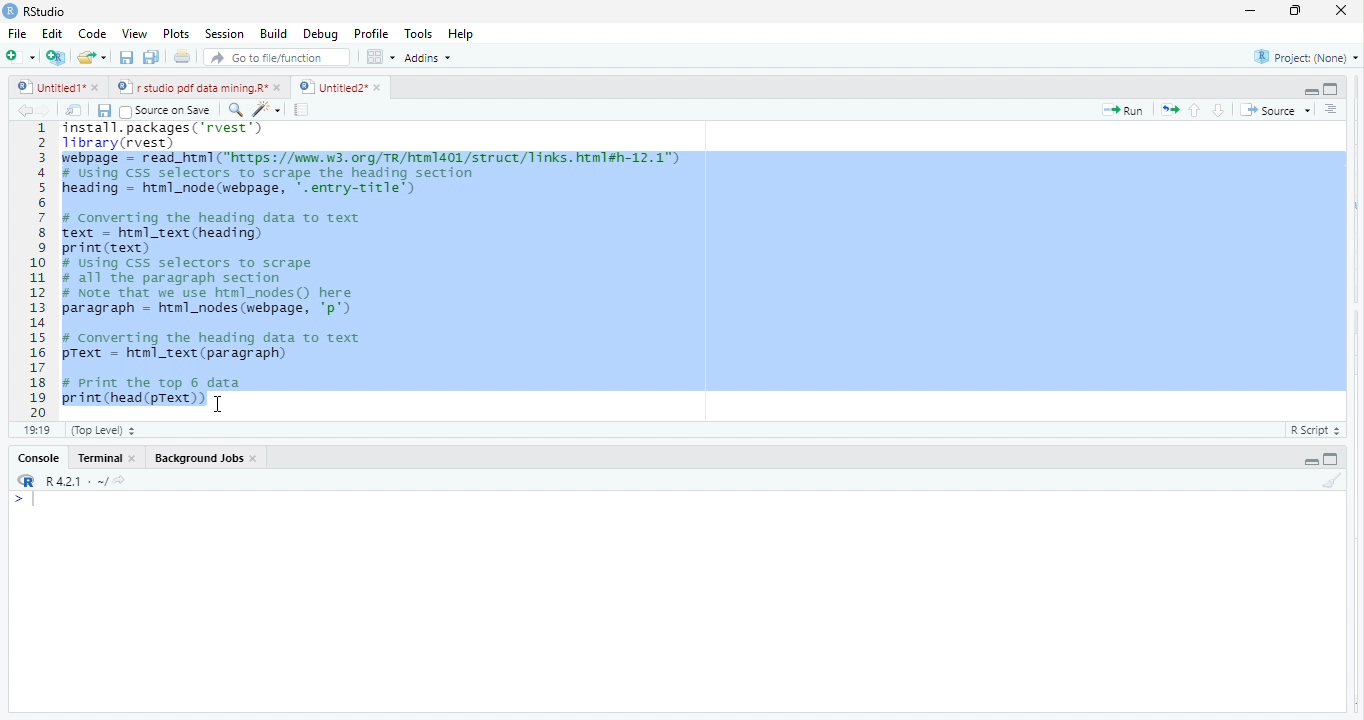 This screenshot has height=720, width=1364. What do you see at coordinates (53, 33) in the screenshot?
I see `Edit` at bounding box center [53, 33].